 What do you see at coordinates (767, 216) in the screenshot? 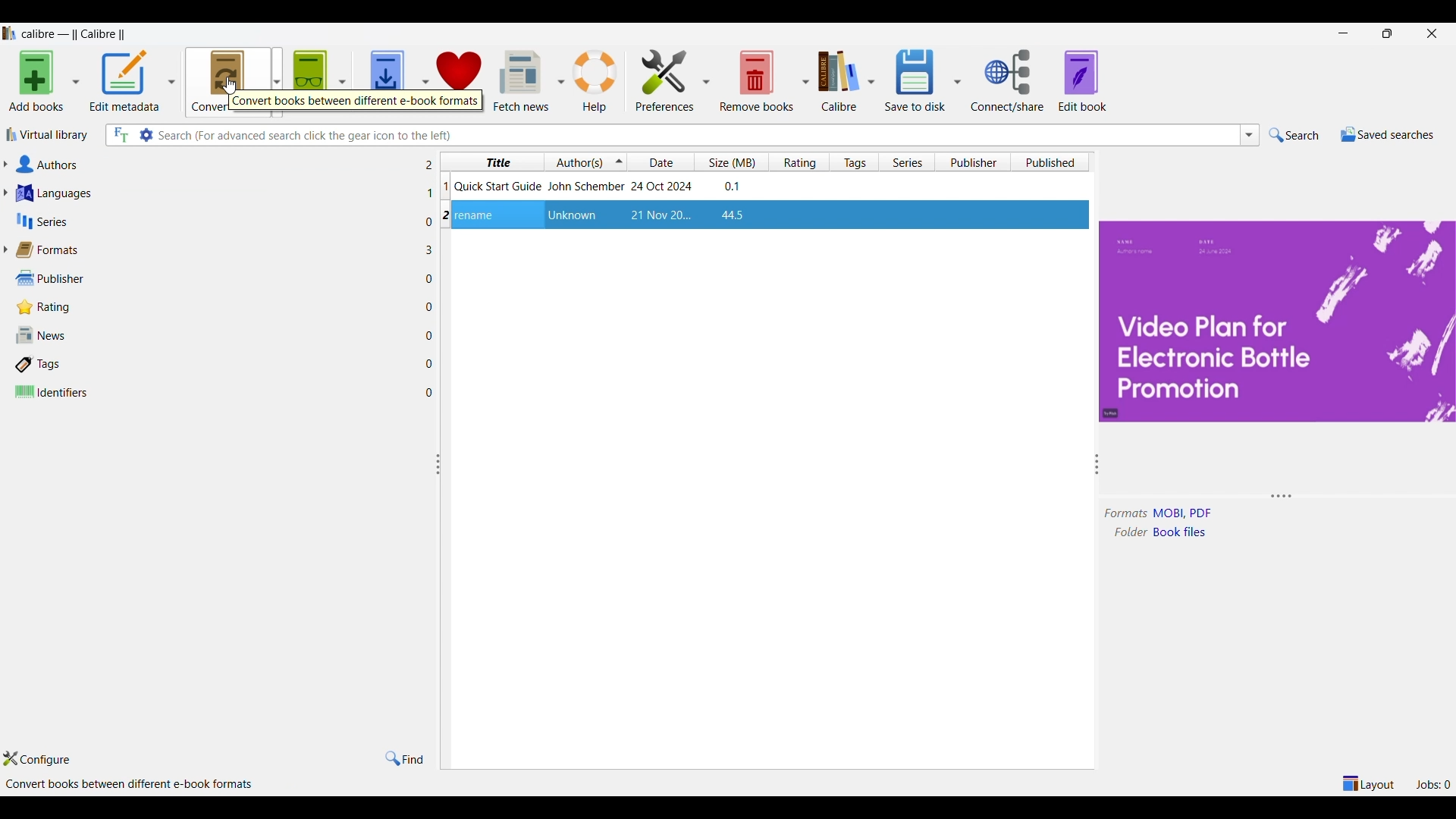
I see `File highlighted after selection` at bounding box center [767, 216].